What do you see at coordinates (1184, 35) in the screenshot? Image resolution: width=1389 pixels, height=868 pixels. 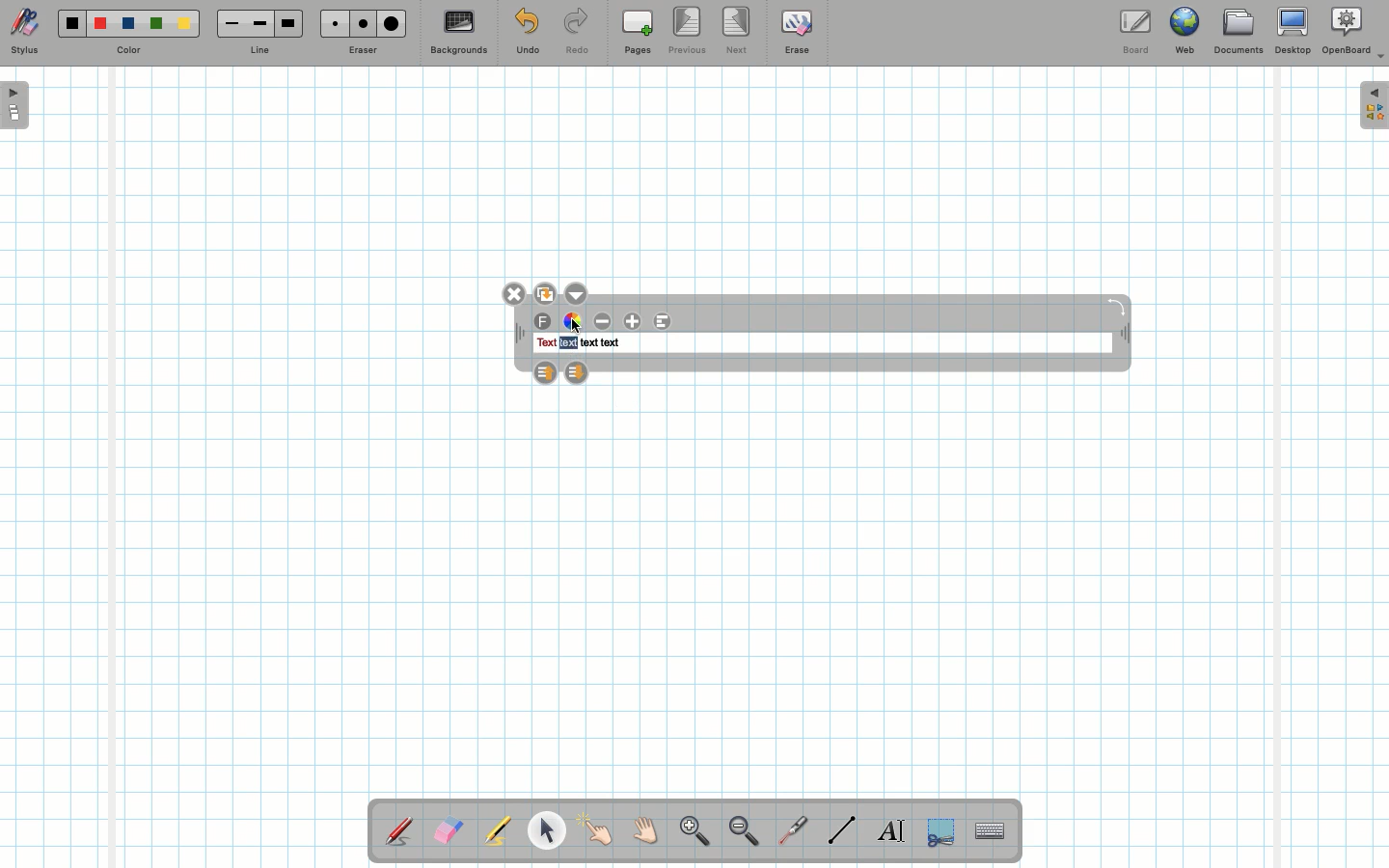 I see `Web` at bounding box center [1184, 35].